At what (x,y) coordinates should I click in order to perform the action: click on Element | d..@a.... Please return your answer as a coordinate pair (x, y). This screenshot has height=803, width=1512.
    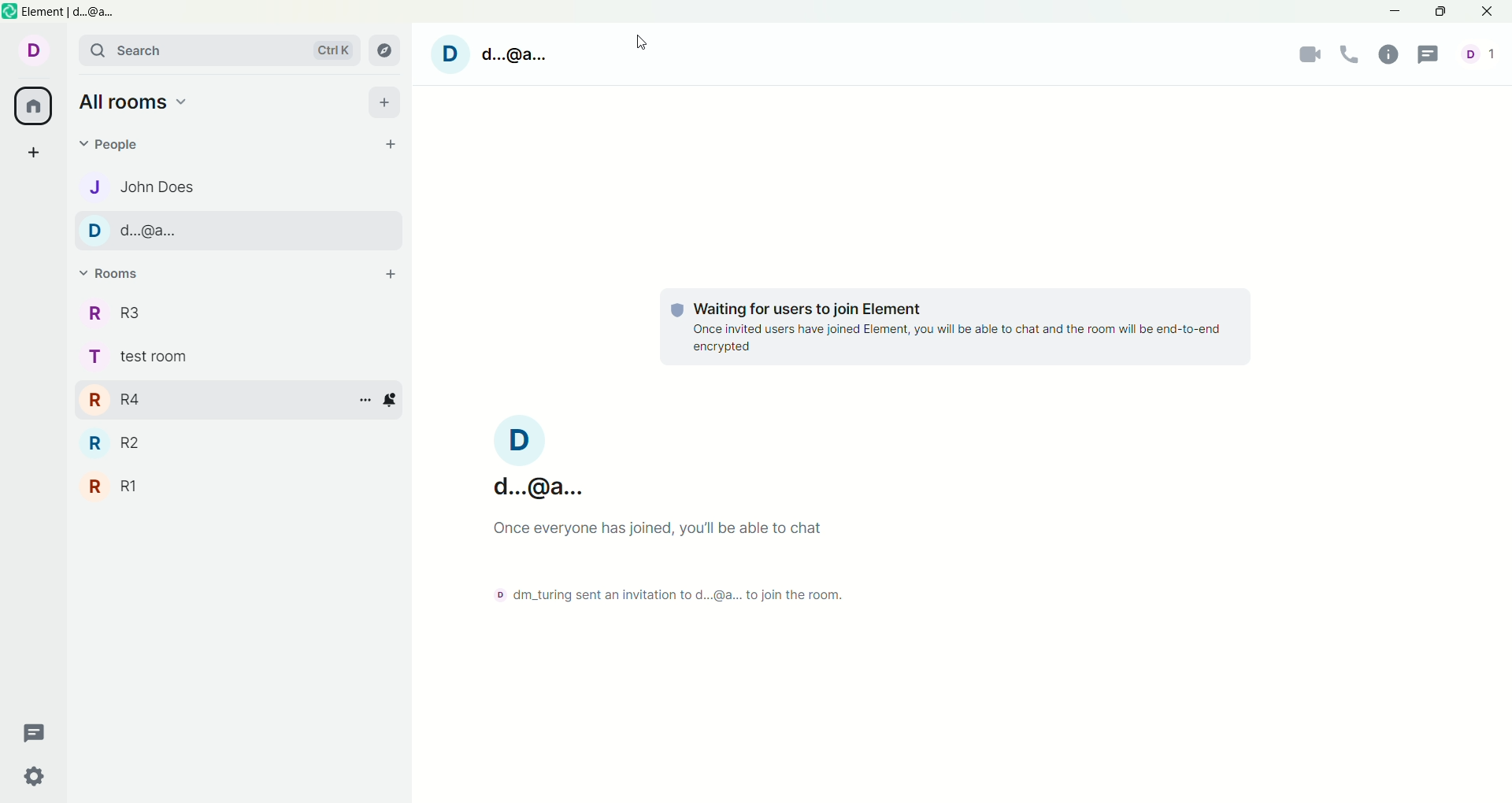
    Looking at the image, I should click on (69, 13).